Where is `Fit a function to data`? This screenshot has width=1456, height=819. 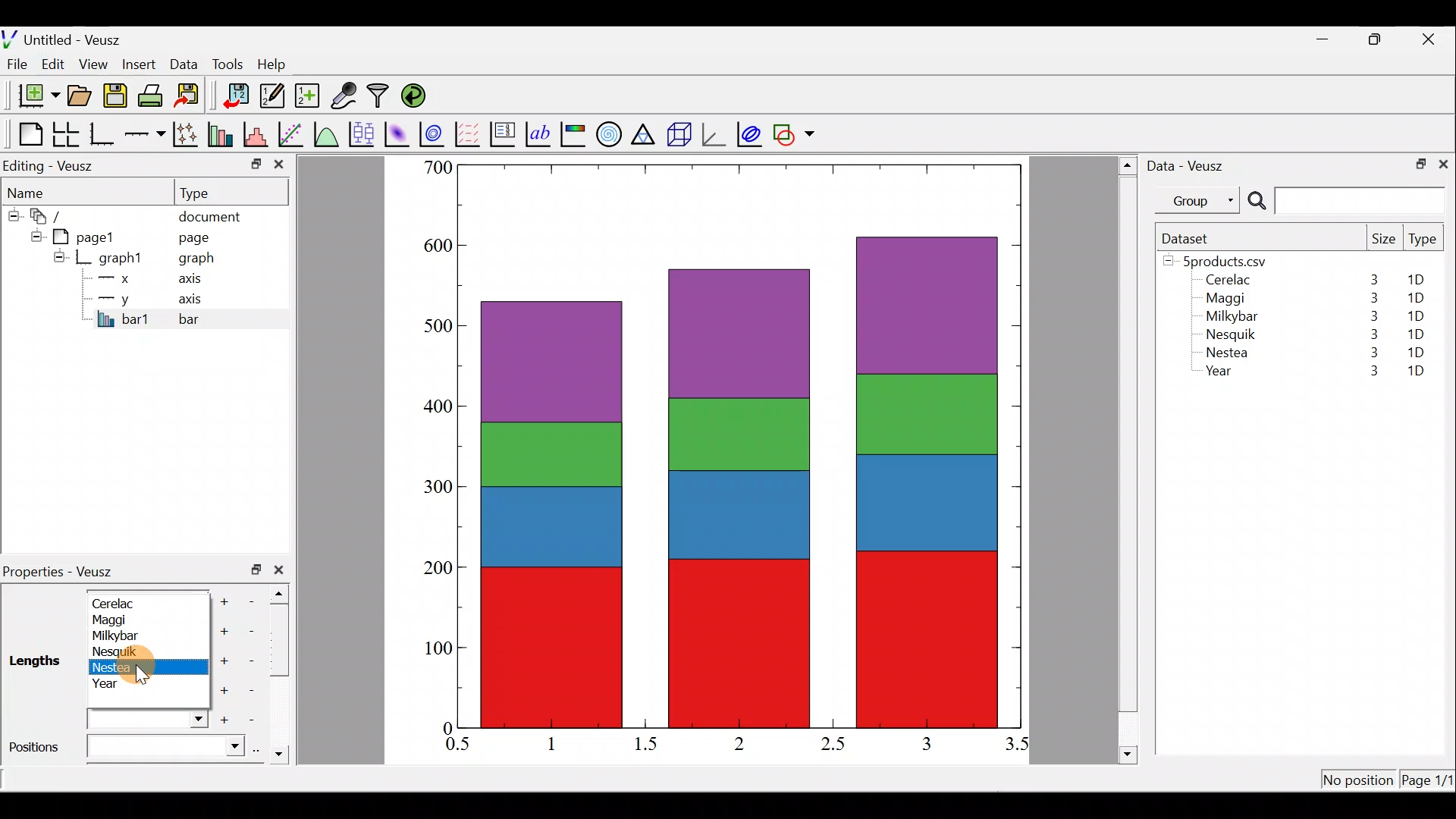
Fit a function to data is located at coordinates (292, 133).